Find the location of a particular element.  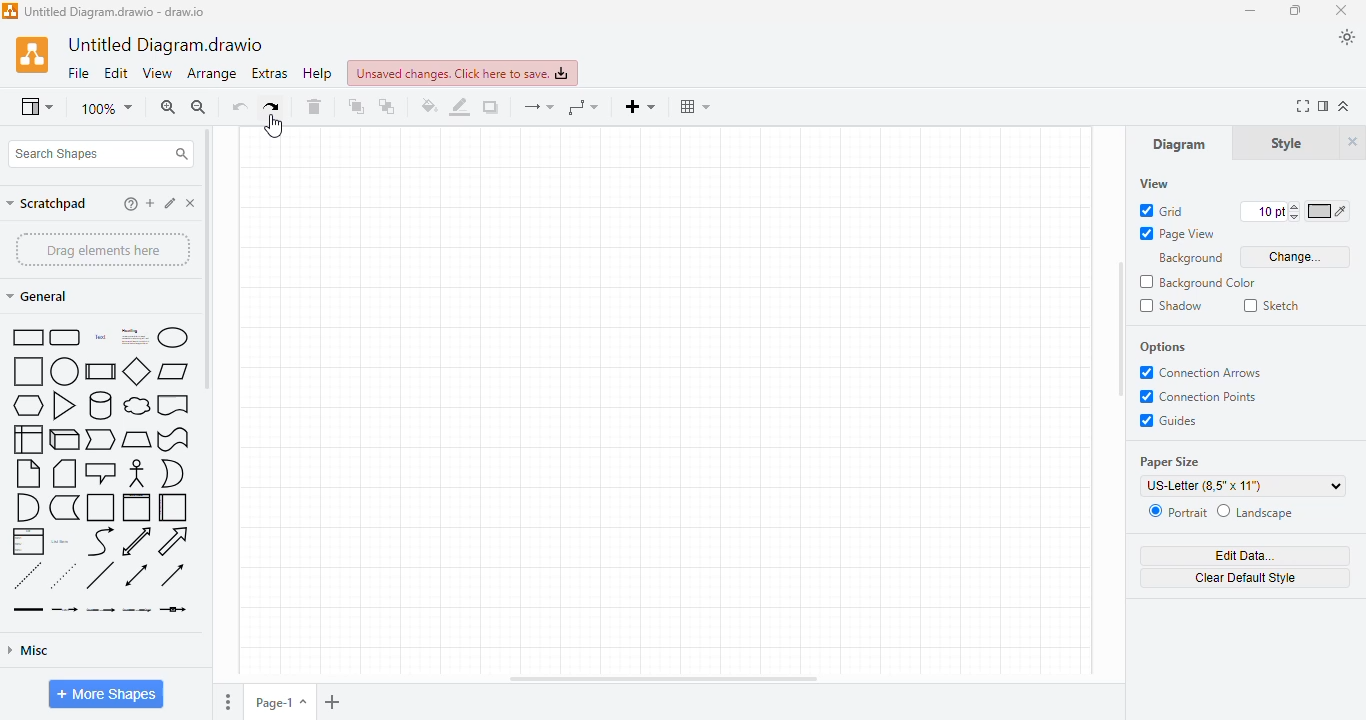

tape is located at coordinates (173, 440).